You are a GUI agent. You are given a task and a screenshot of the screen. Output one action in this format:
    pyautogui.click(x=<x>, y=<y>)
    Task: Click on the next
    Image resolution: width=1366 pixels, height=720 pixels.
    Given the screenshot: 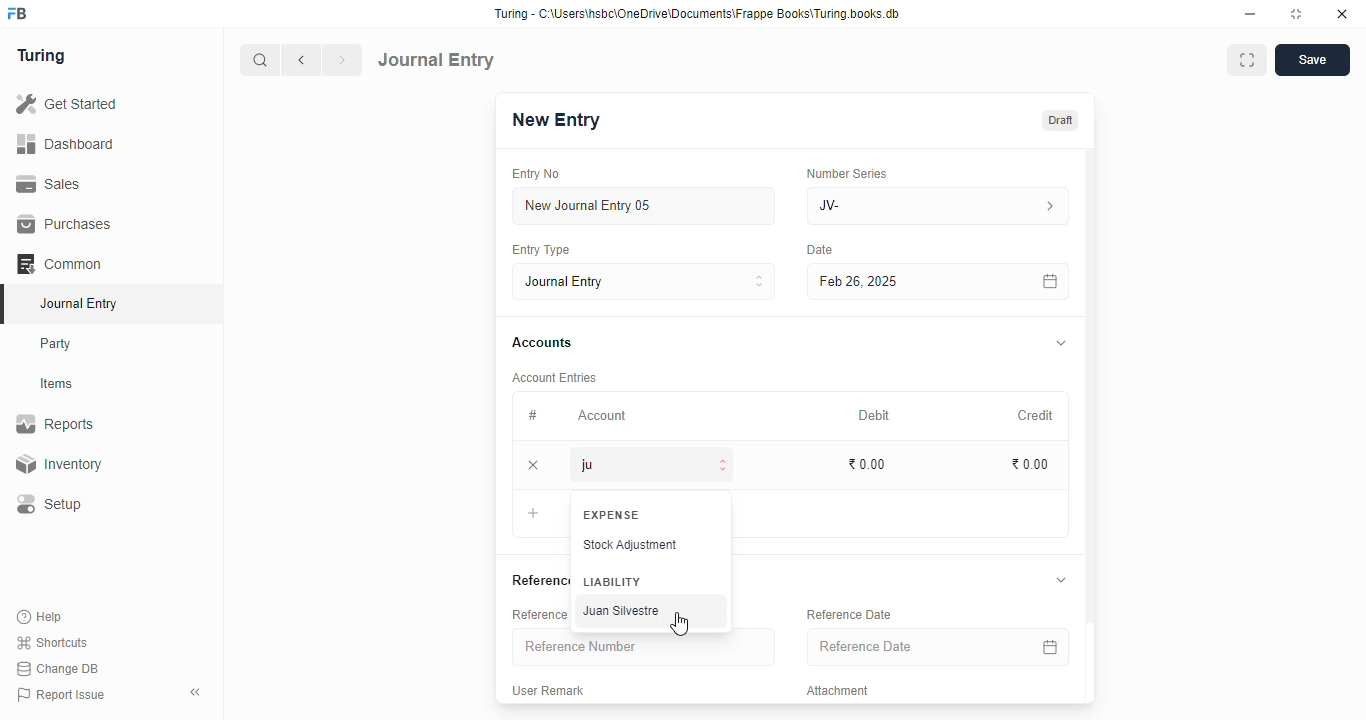 What is the action you would take?
    pyautogui.click(x=344, y=60)
    